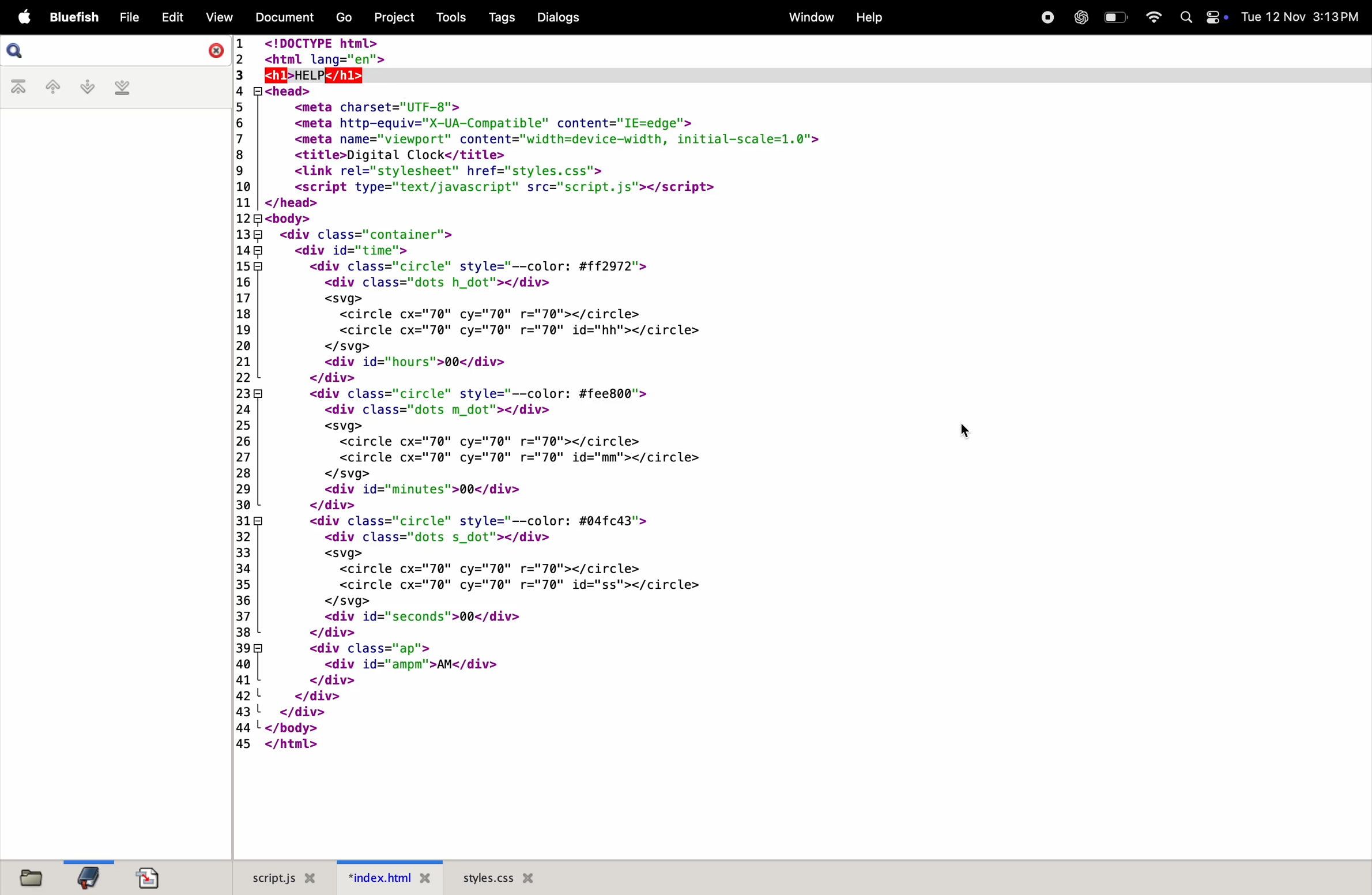  I want to click on bluefish , so click(75, 18).